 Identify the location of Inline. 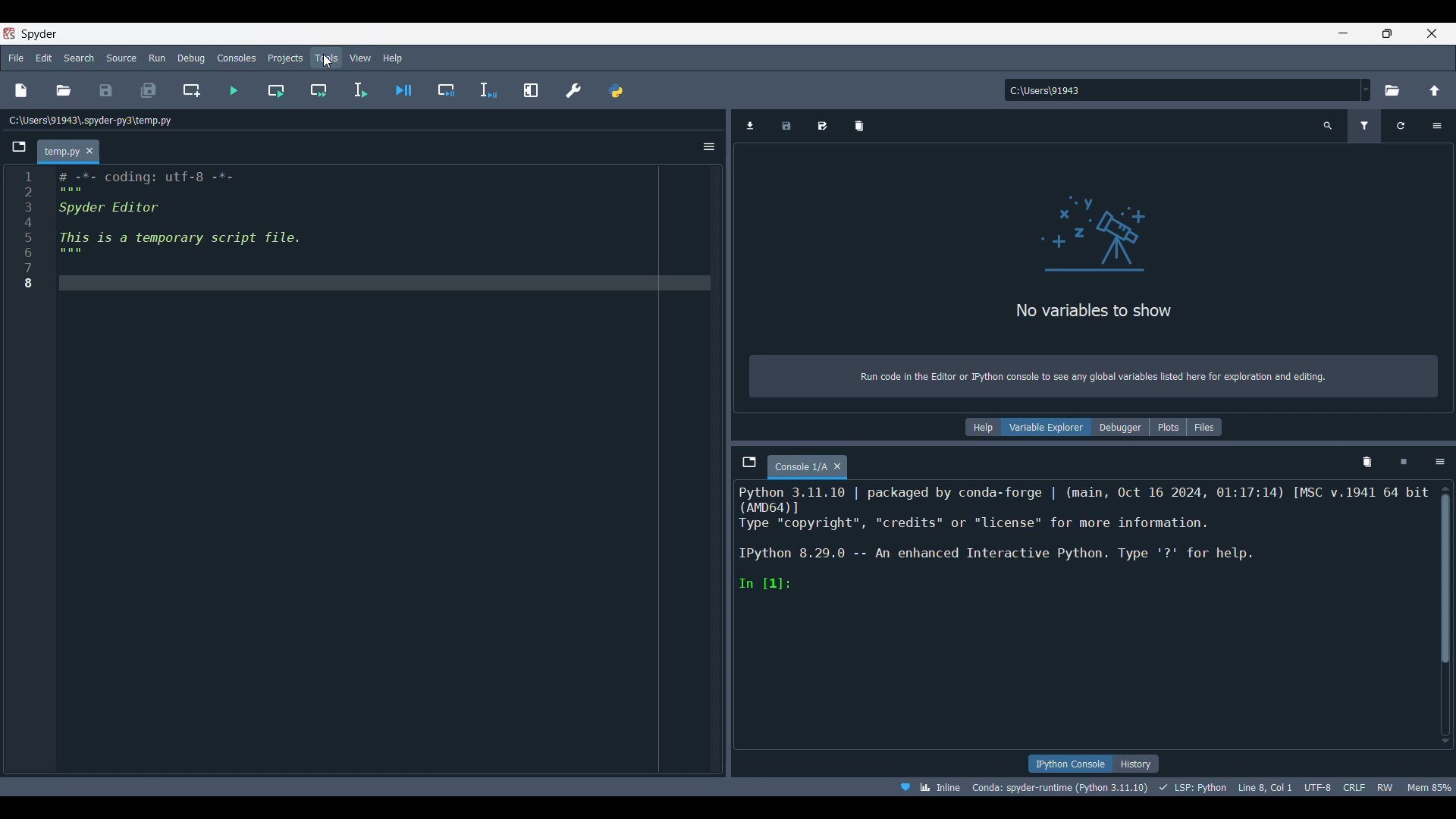
(927, 787).